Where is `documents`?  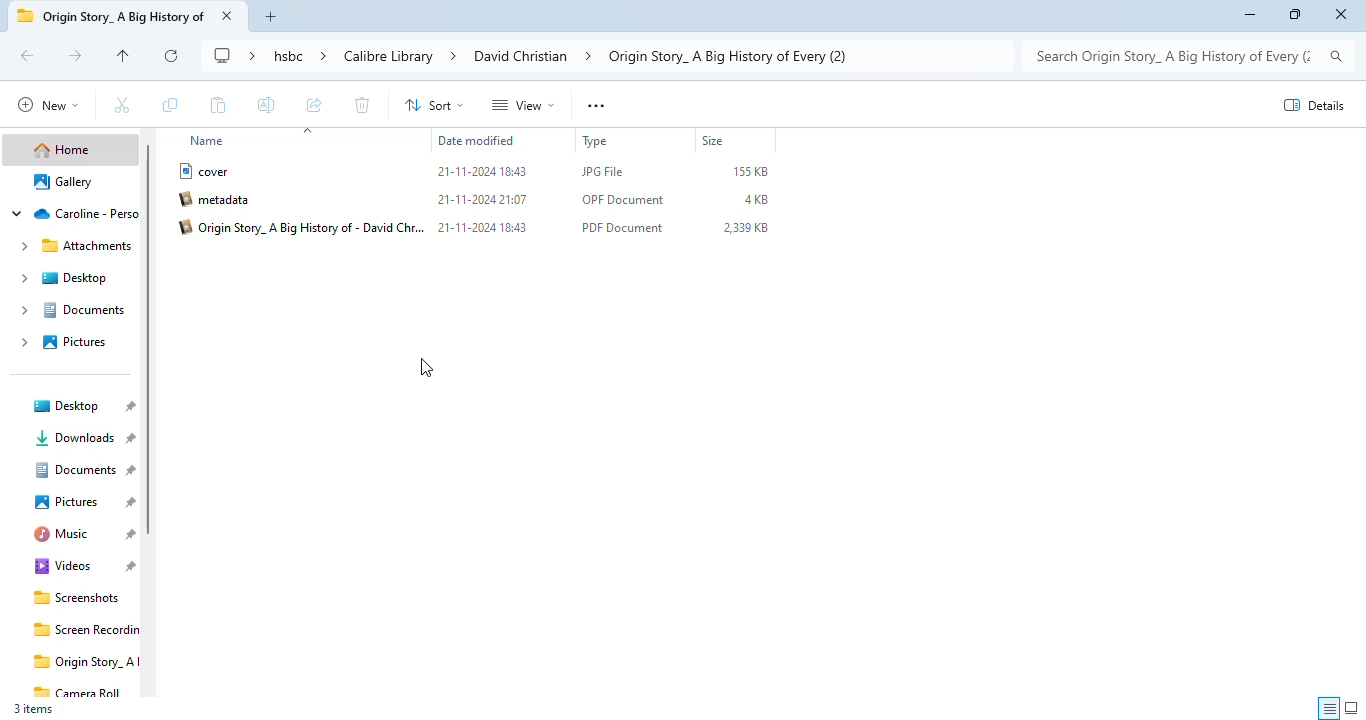 documents is located at coordinates (85, 470).